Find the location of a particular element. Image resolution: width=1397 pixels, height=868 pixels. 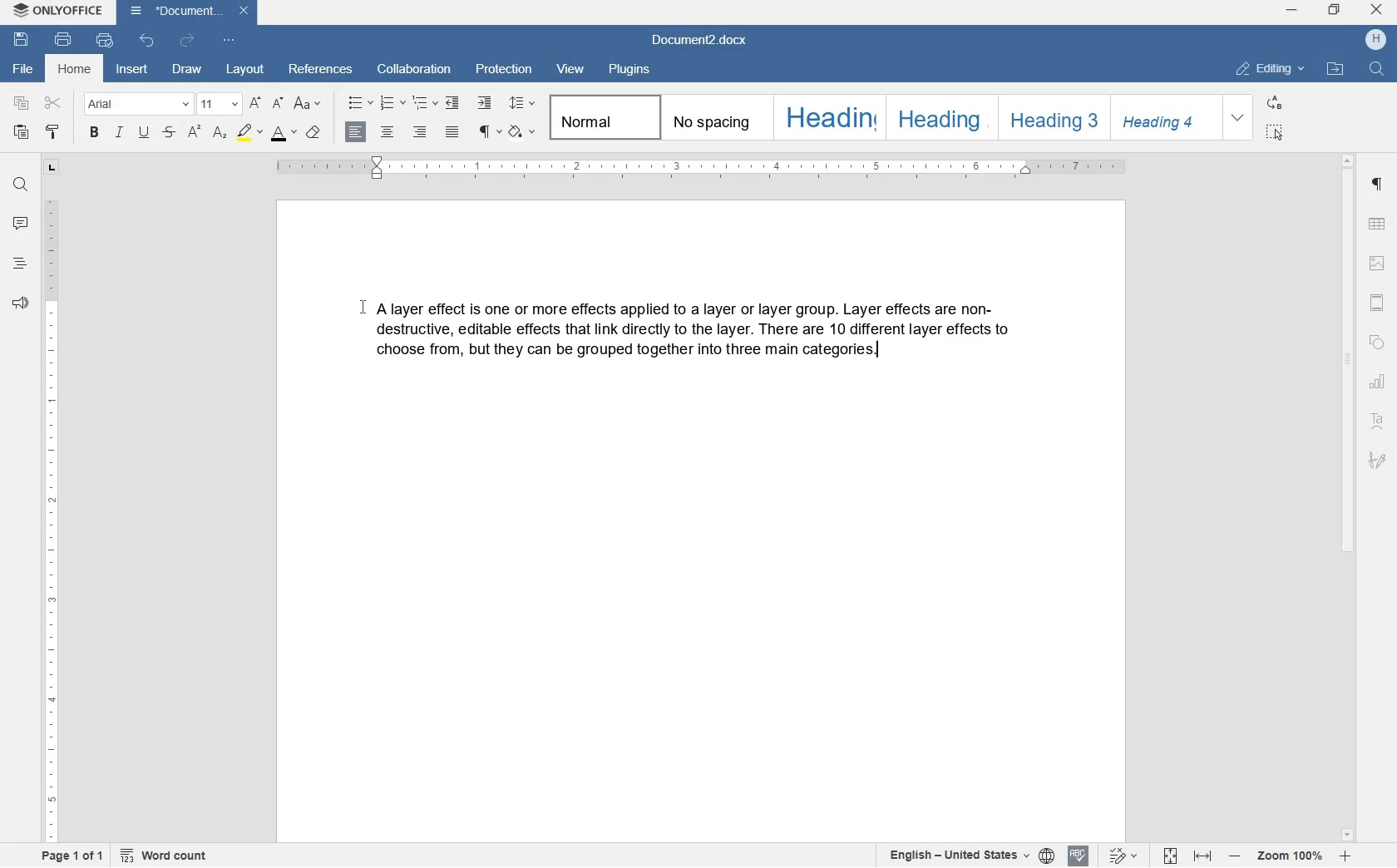

expand formatting style is located at coordinates (1240, 118).